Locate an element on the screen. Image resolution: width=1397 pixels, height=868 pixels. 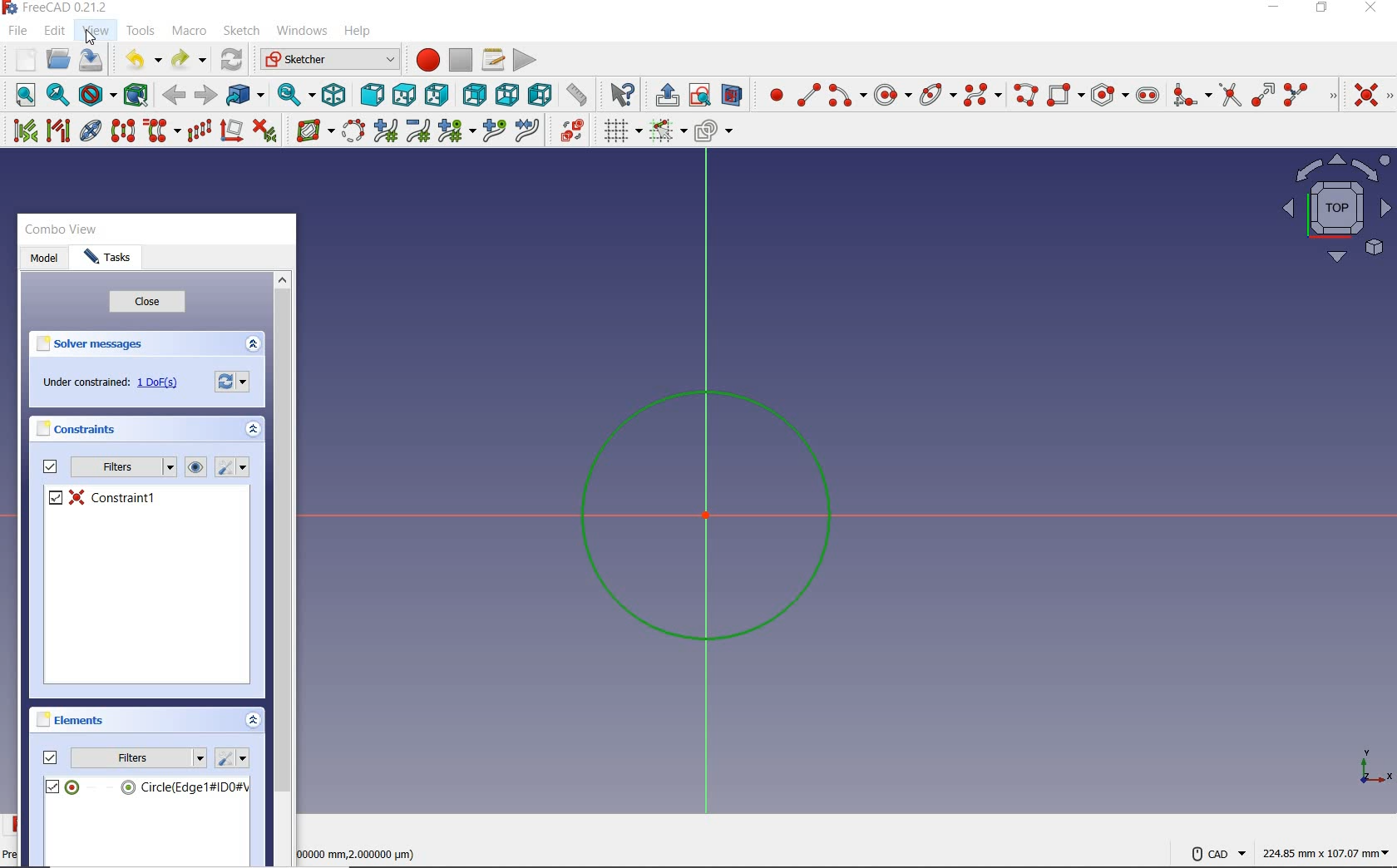
tools is located at coordinates (141, 32).